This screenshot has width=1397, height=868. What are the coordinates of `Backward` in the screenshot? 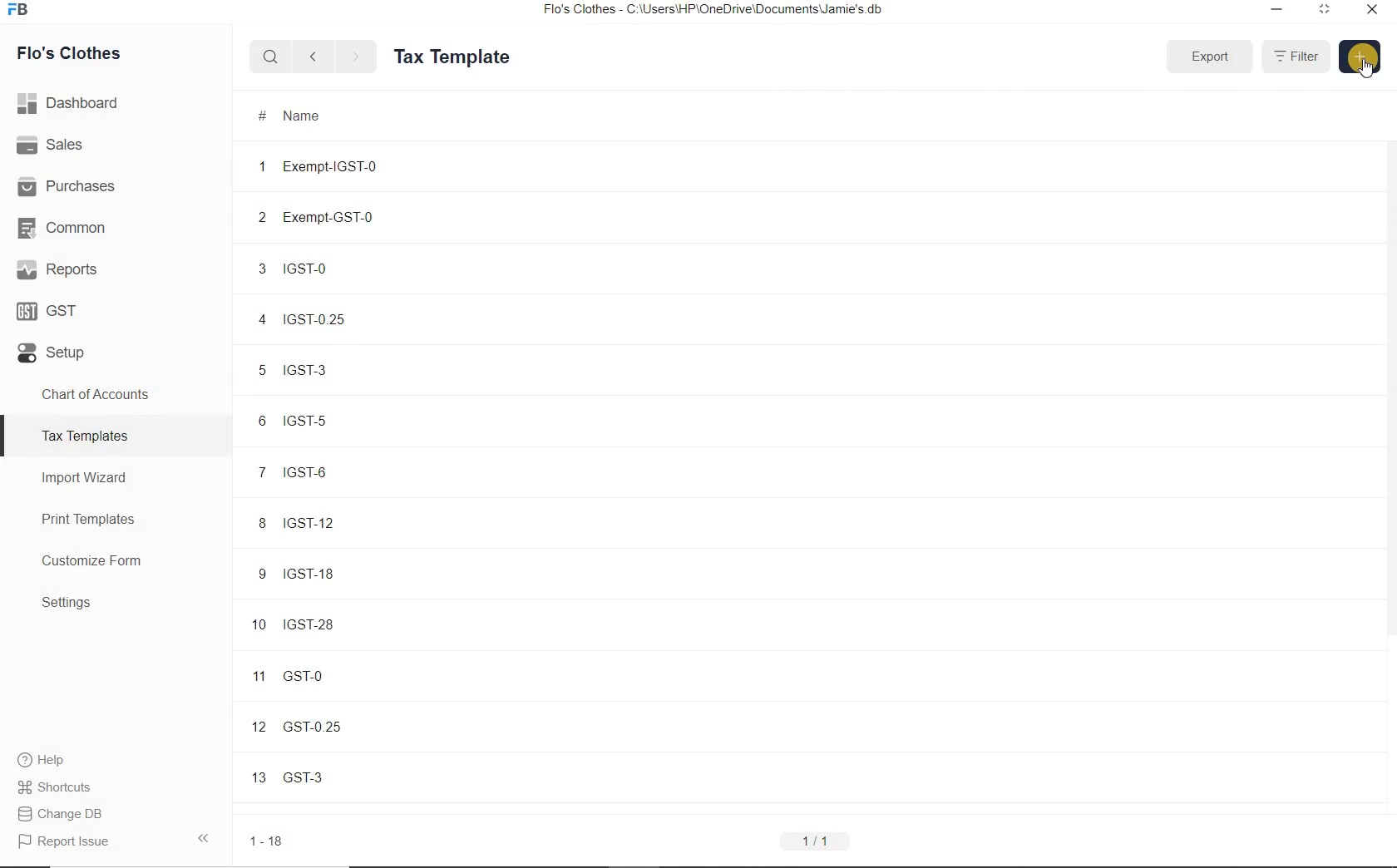 It's located at (313, 56).